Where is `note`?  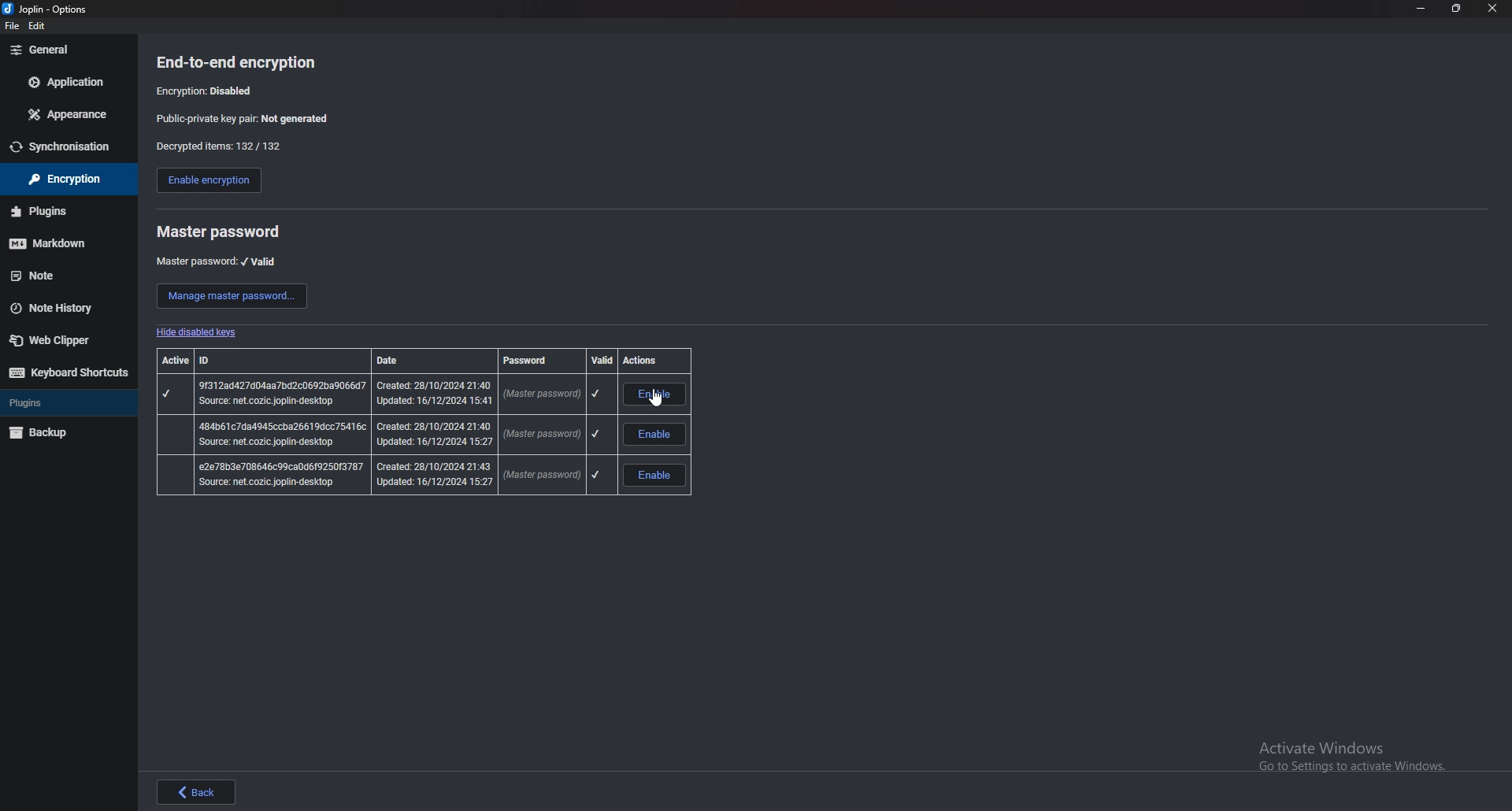 note is located at coordinates (64, 275).